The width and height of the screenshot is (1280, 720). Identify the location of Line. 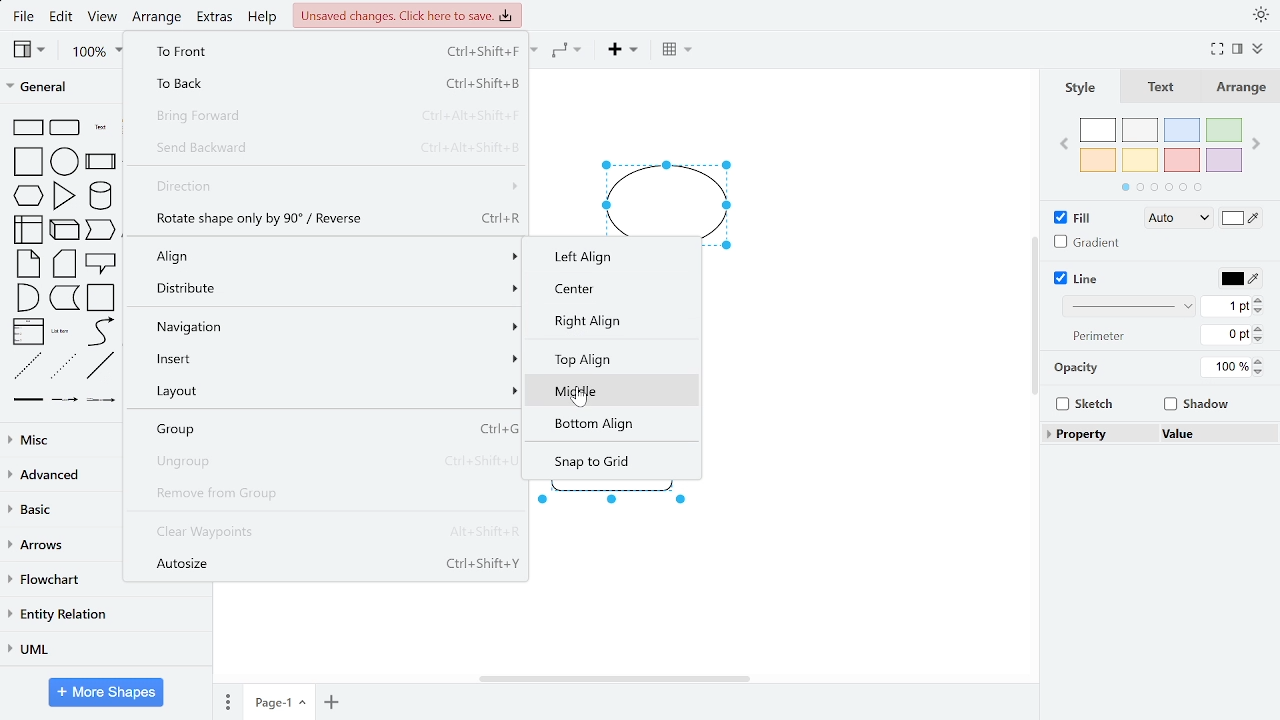
(1077, 278).